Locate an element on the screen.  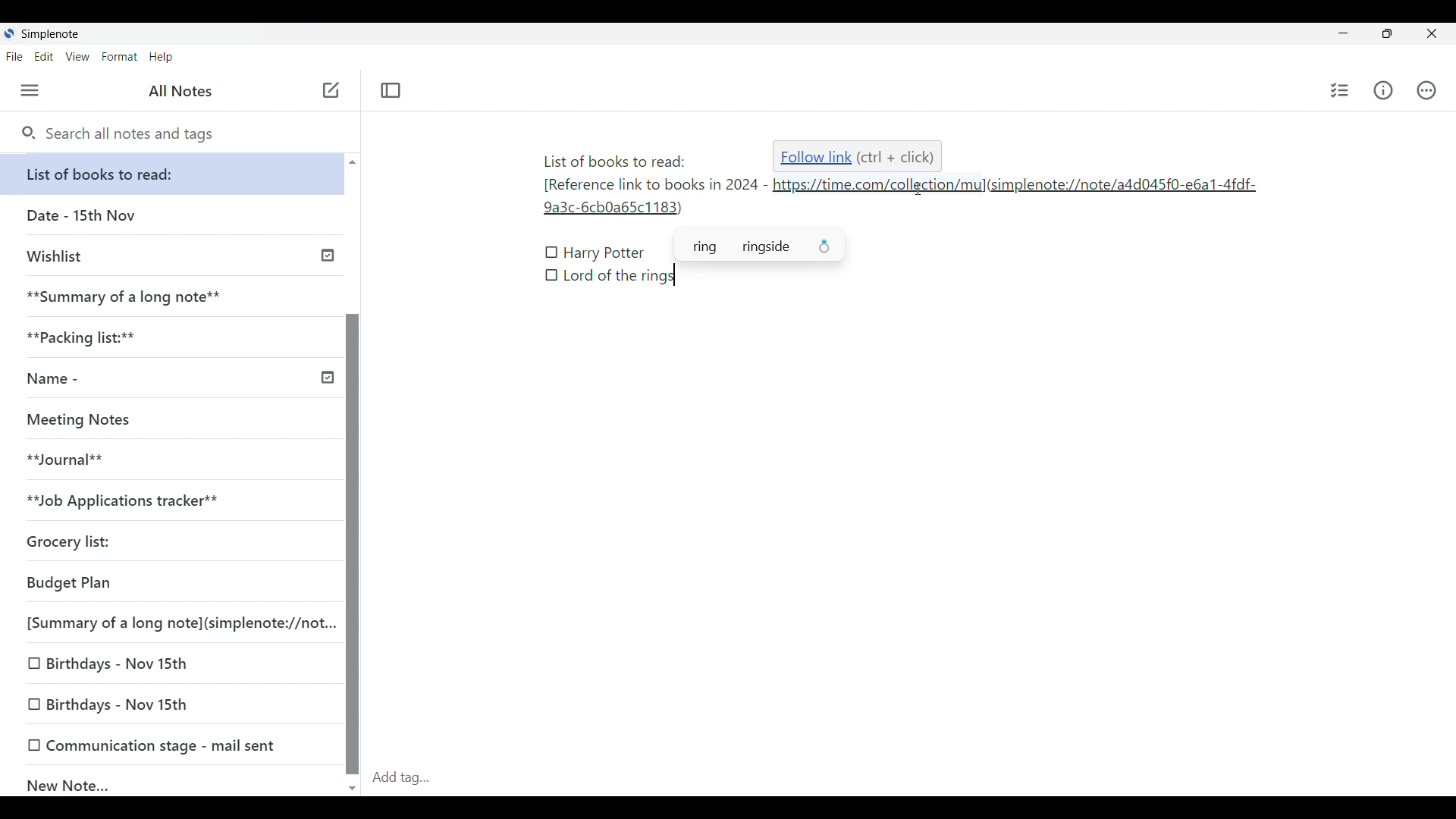
All Notes is located at coordinates (178, 91).